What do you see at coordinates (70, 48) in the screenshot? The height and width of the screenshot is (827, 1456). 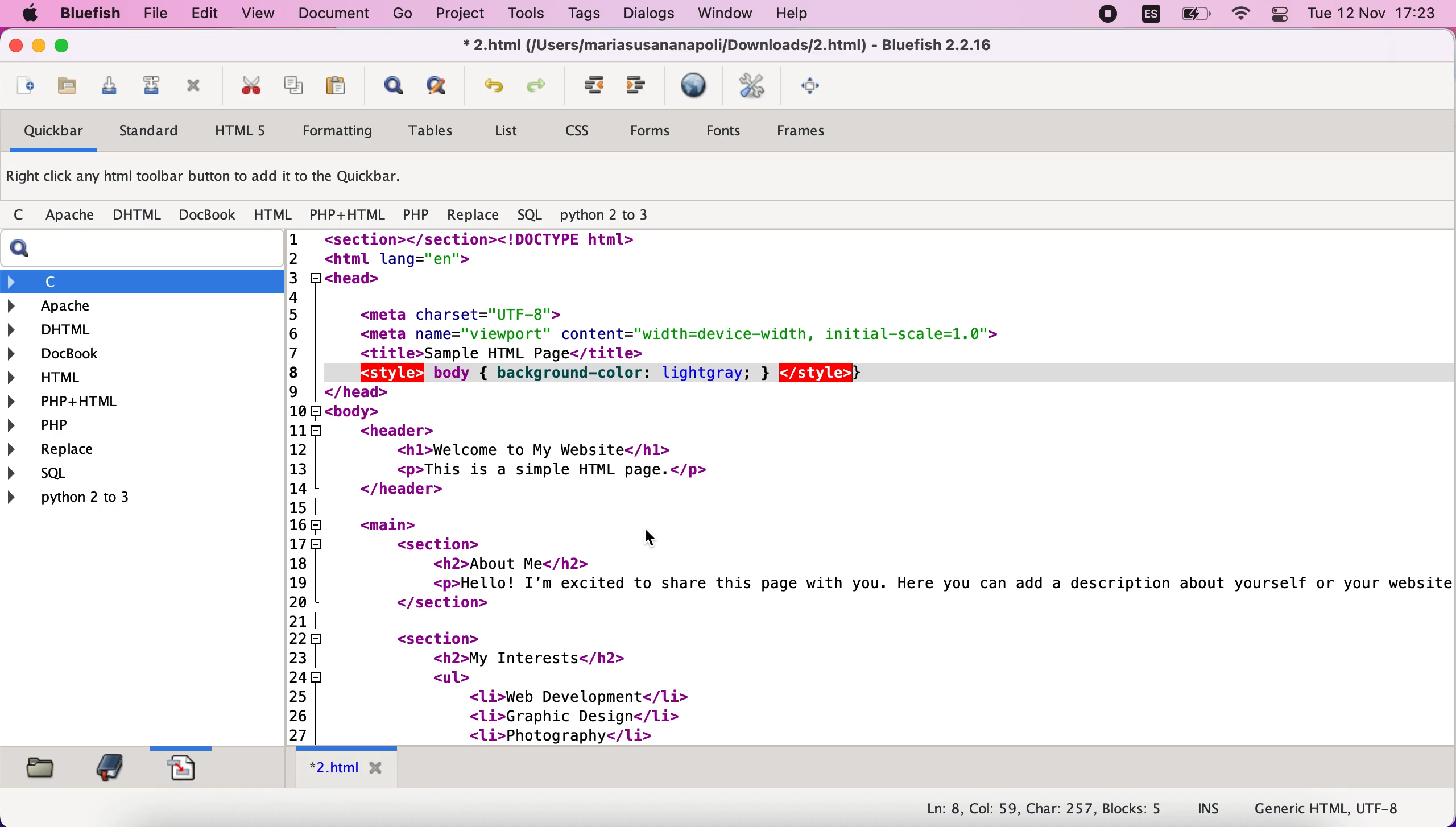 I see `maximize` at bounding box center [70, 48].